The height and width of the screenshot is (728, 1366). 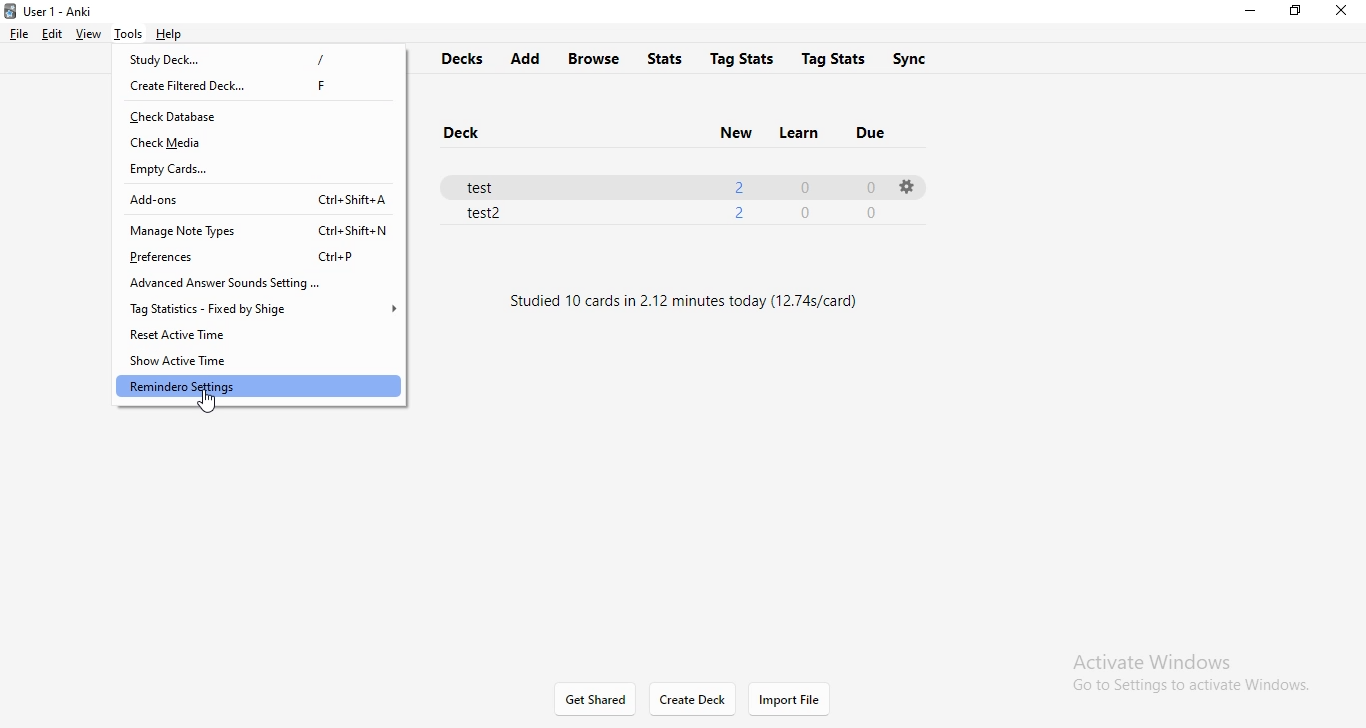 I want to click on remindero, so click(x=261, y=388).